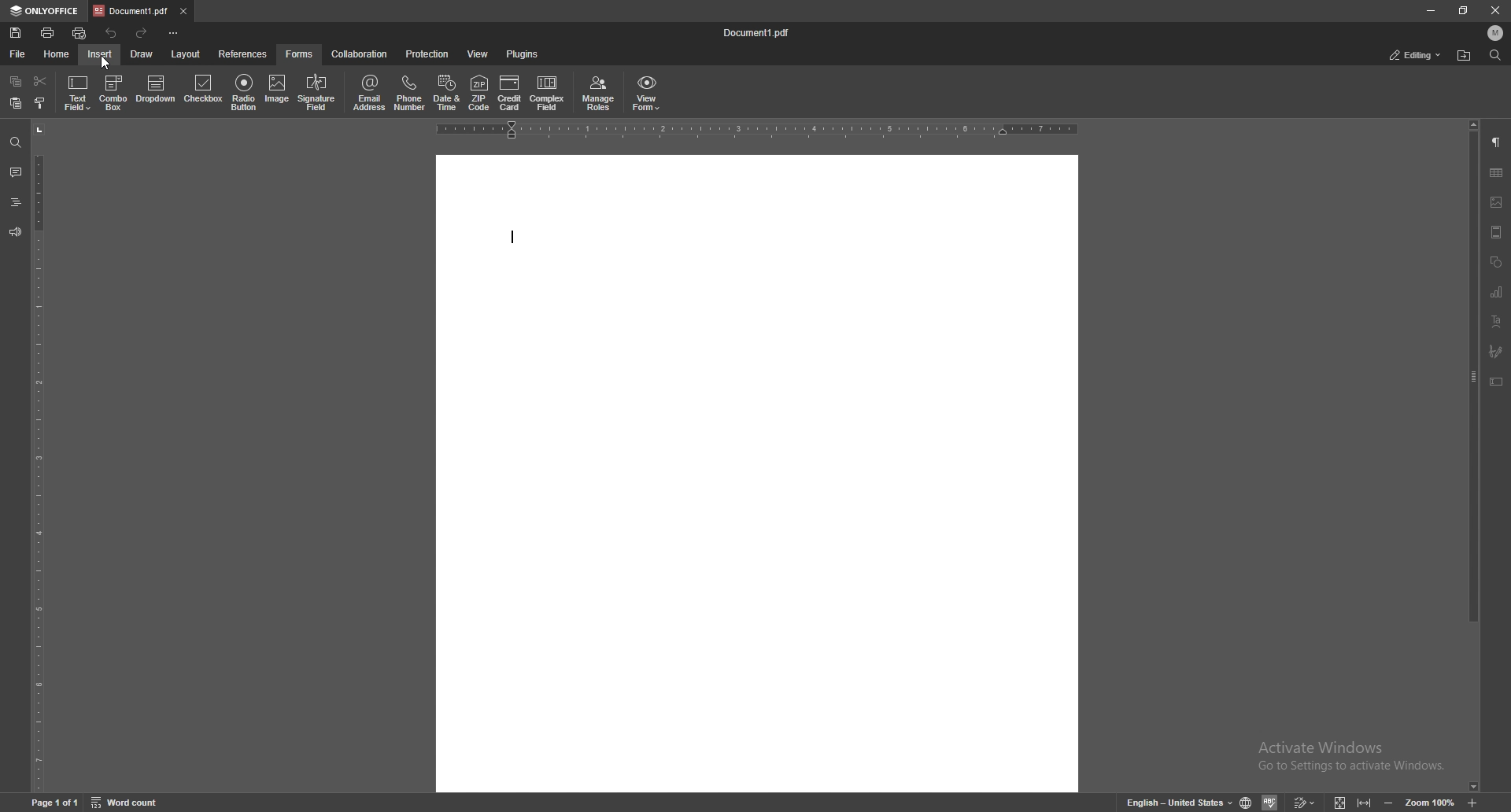 This screenshot has height=812, width=1511. What do you see at coordinates (1431, 10) in the screenshot?
I see `minimize` at bounding box center [1431, 10].